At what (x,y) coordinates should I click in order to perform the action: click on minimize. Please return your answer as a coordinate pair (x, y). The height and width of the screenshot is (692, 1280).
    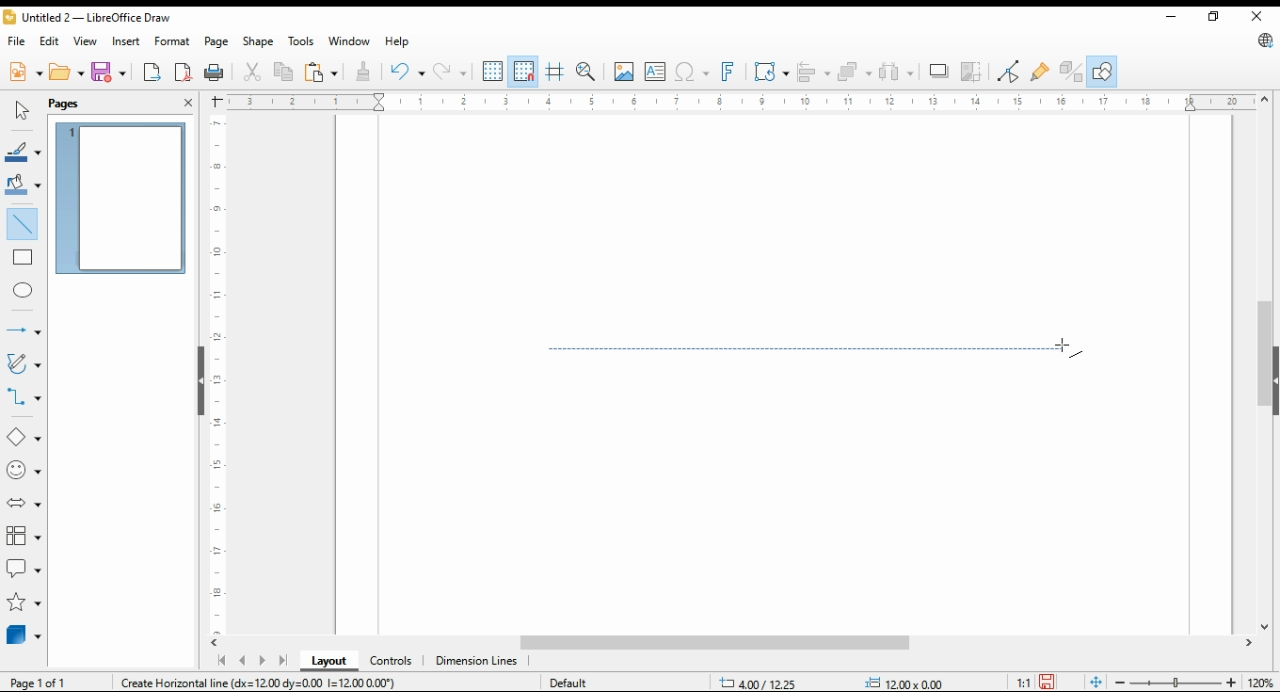
    Looking at the image, I should click on (1174, 13).